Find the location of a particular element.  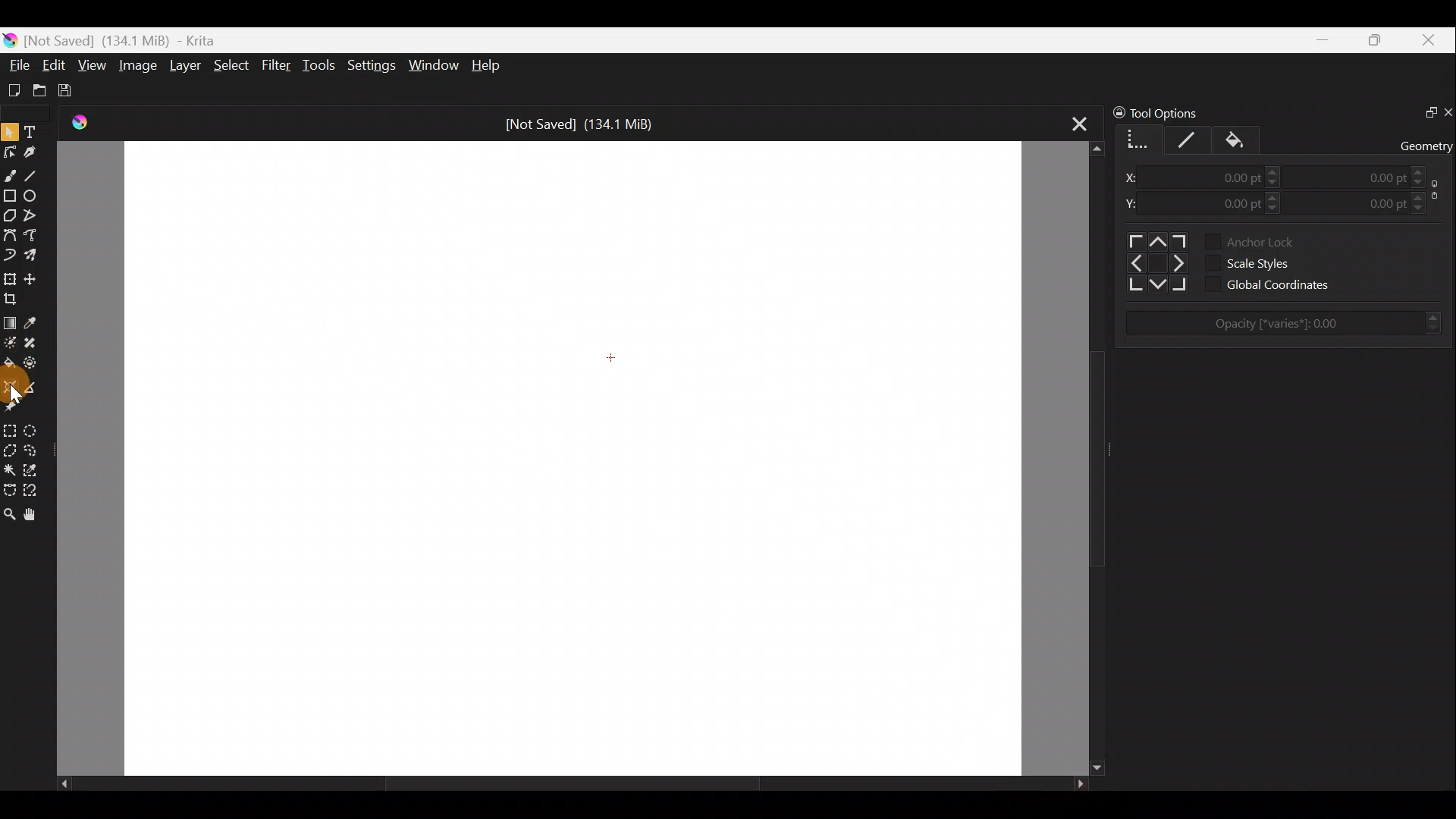

Maximize is located at coordinates (1379, 39).